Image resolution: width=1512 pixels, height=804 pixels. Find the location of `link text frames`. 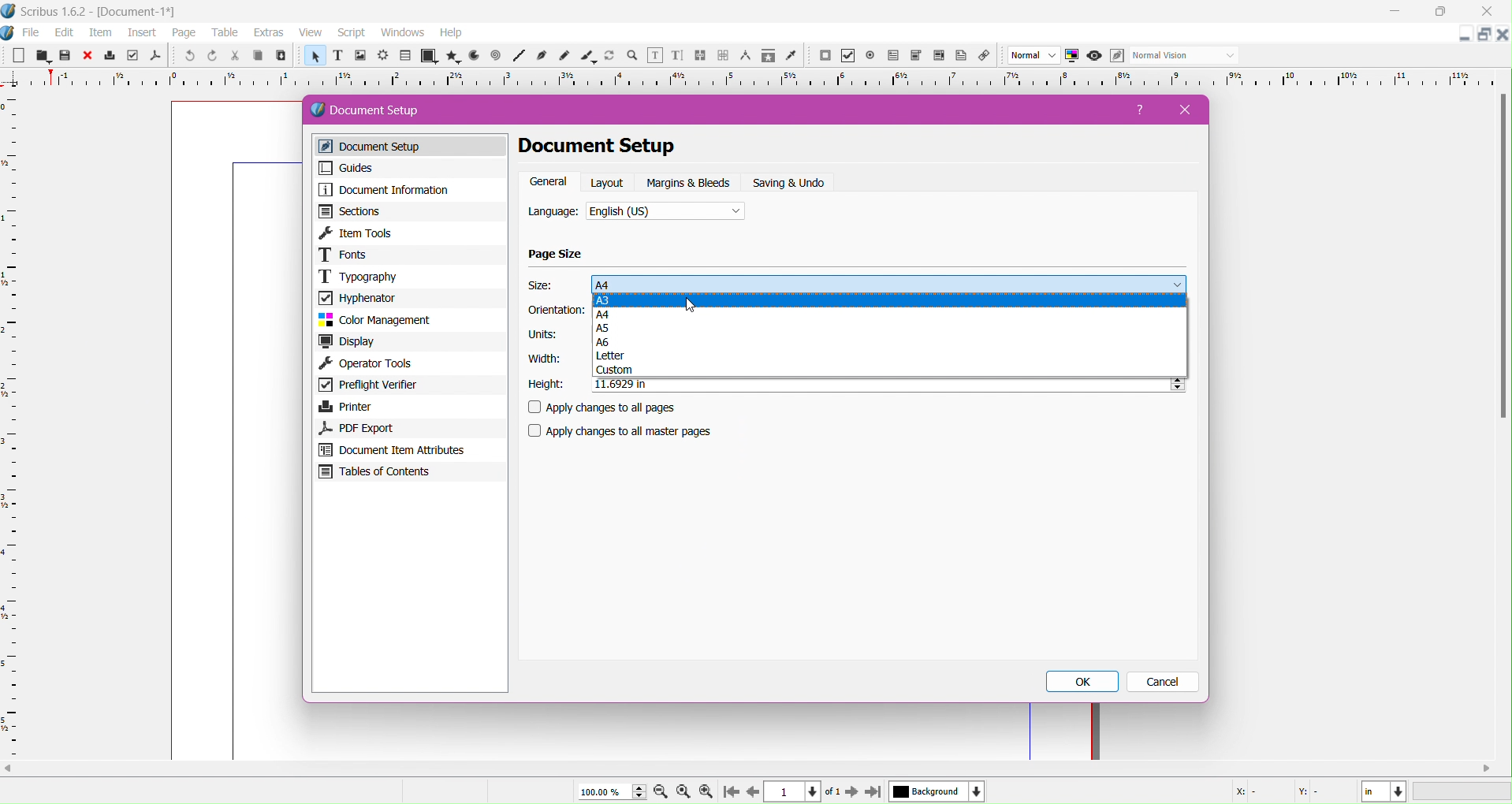

link text frames is located at coordinates (700, 56).